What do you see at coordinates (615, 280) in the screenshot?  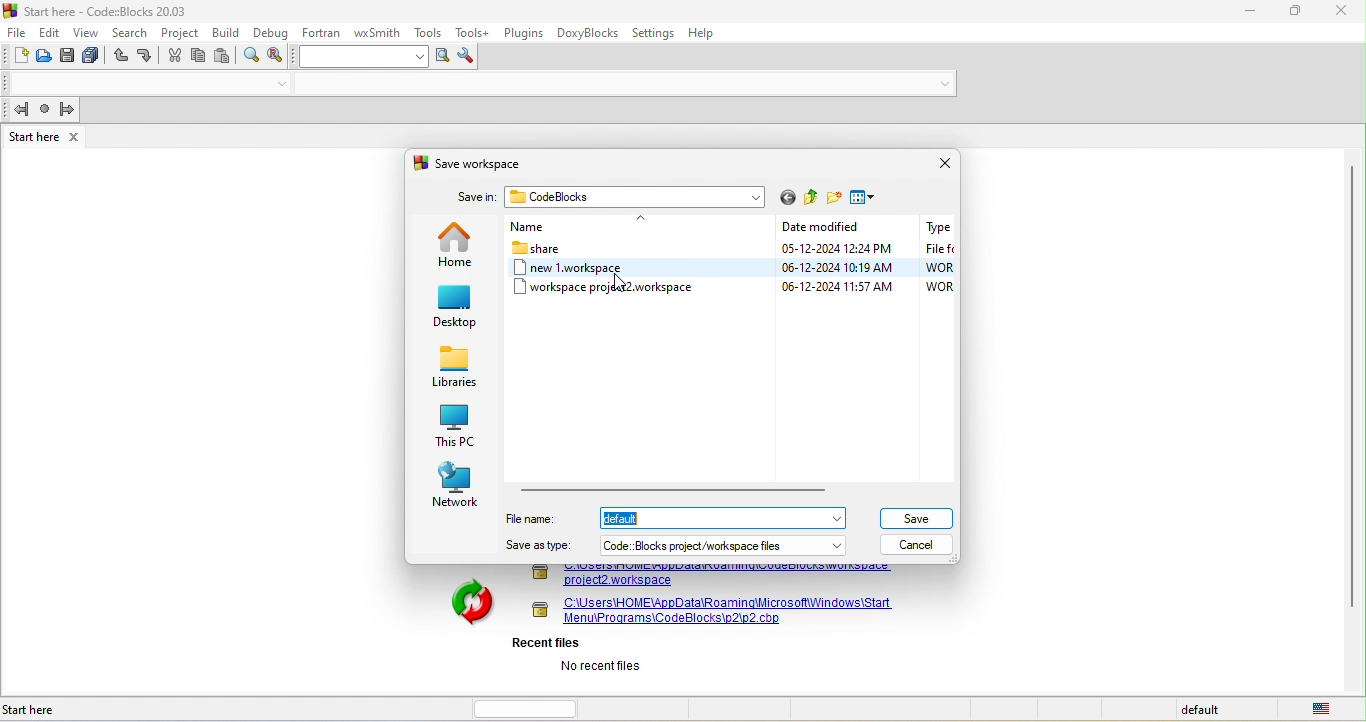 I see `cursor movement` at bounding box center [615, 280].